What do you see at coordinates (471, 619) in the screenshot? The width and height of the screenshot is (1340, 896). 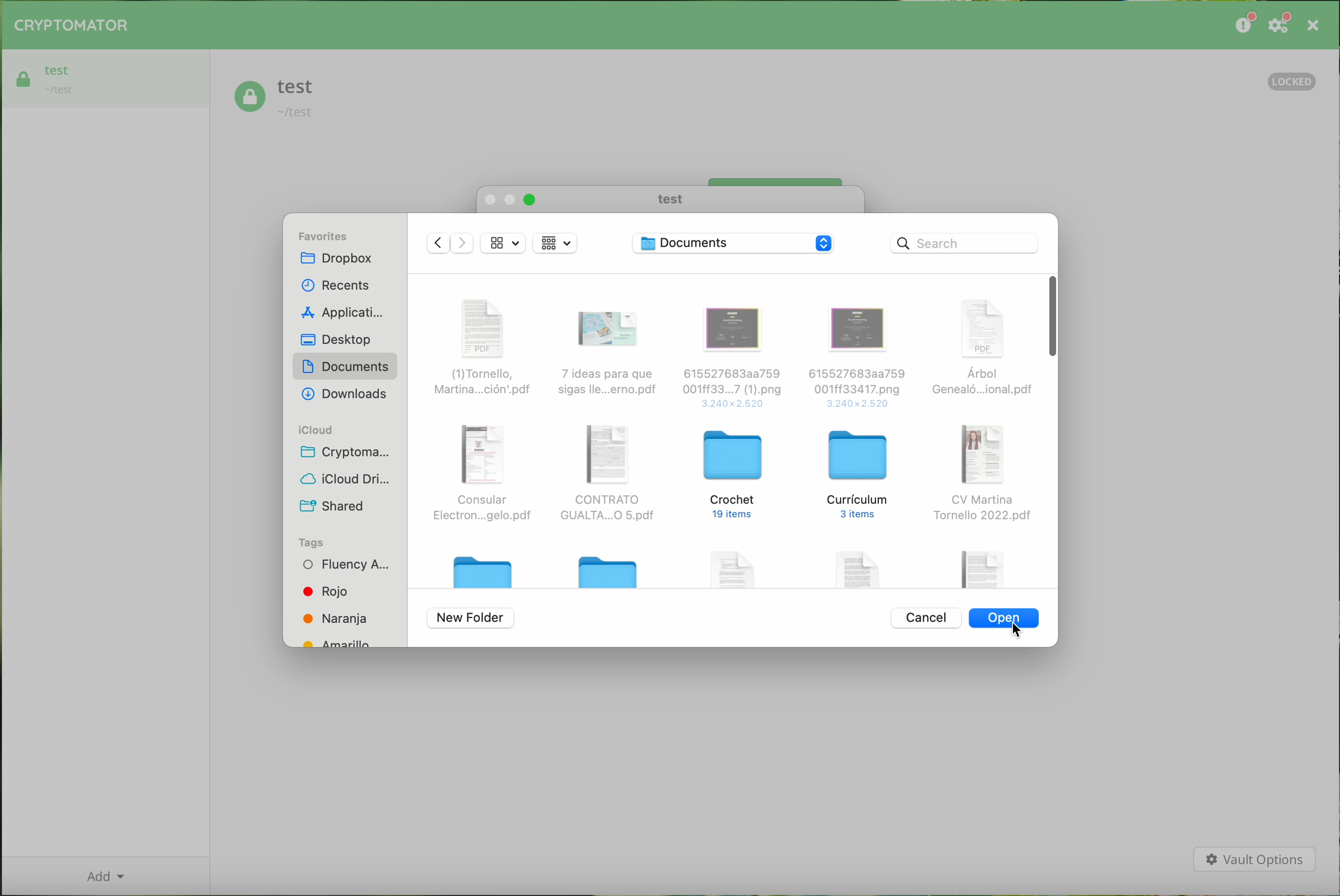 I see `new folder ` at bounding box center [471, 619].